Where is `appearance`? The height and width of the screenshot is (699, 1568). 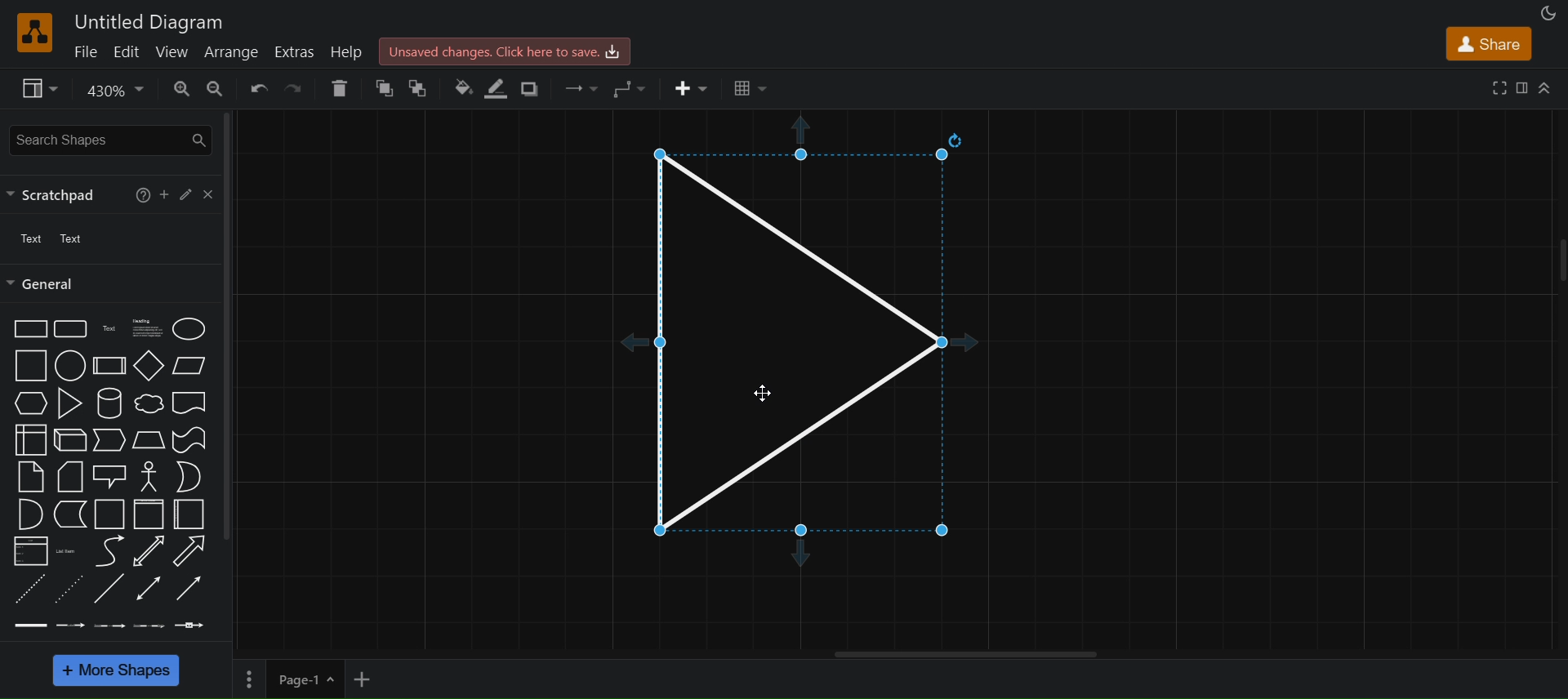 appearance is located at coordinates (1546, 12).